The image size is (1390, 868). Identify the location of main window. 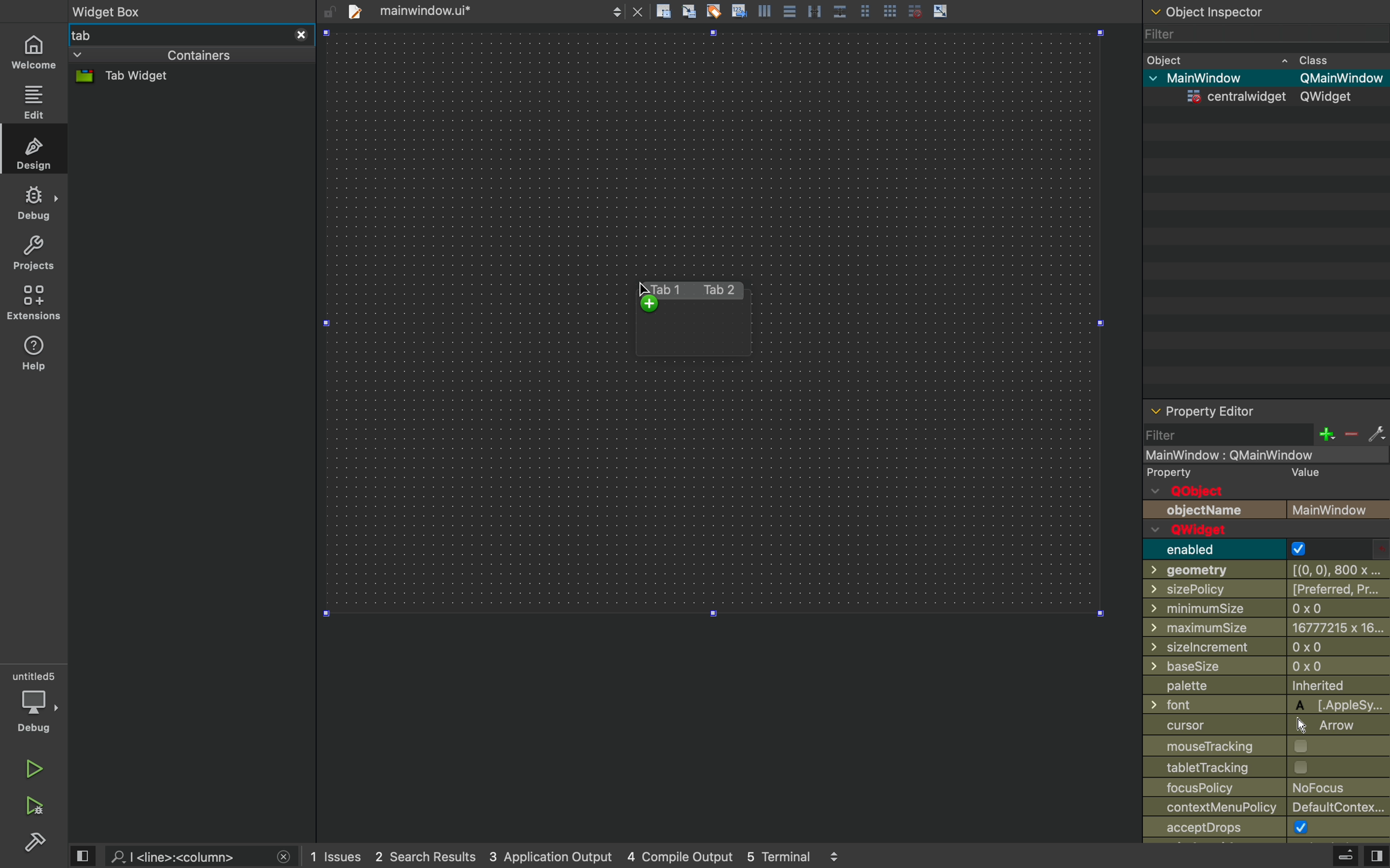
(1262, 79).